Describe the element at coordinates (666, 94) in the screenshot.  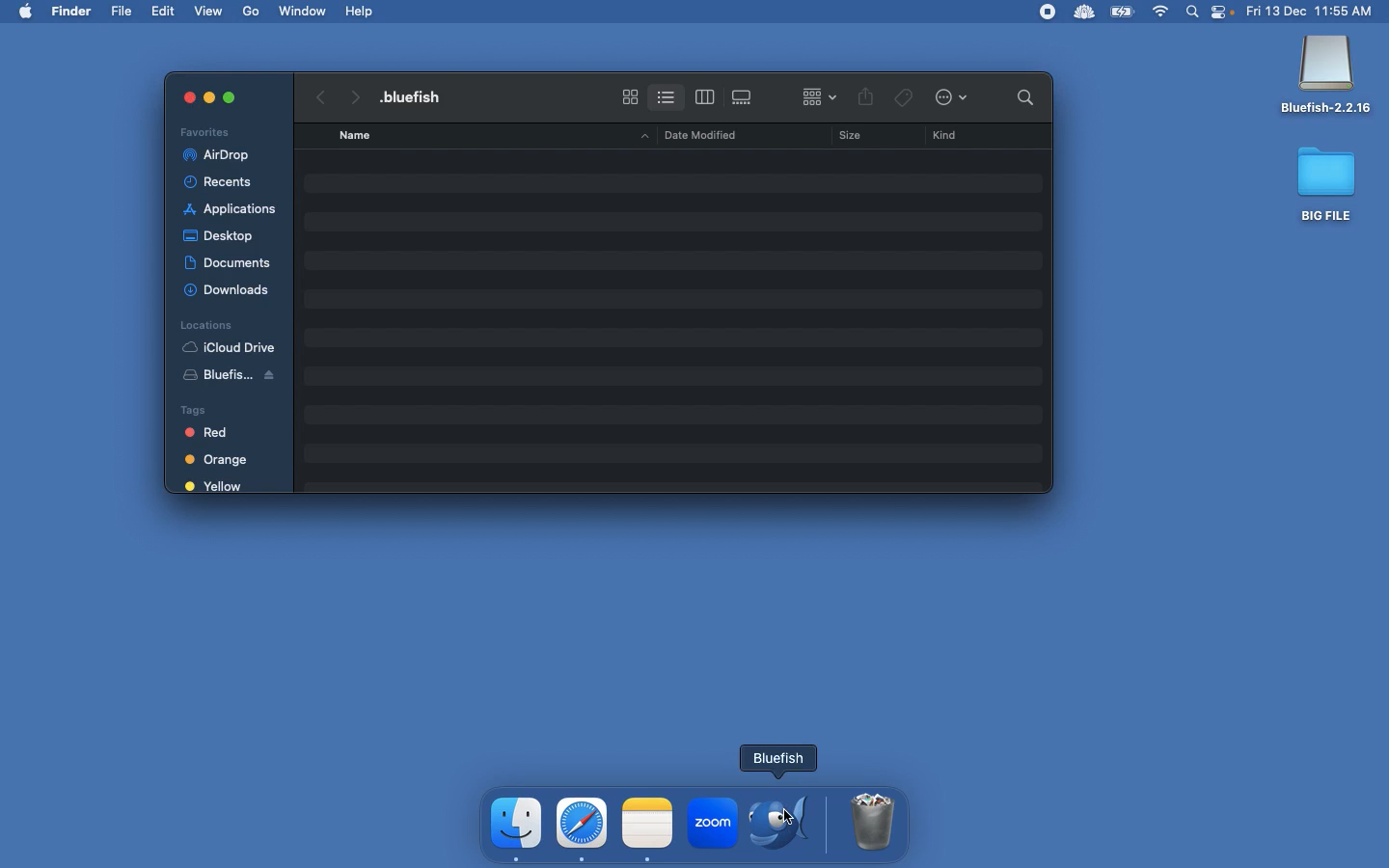
I see `List View` at that location.